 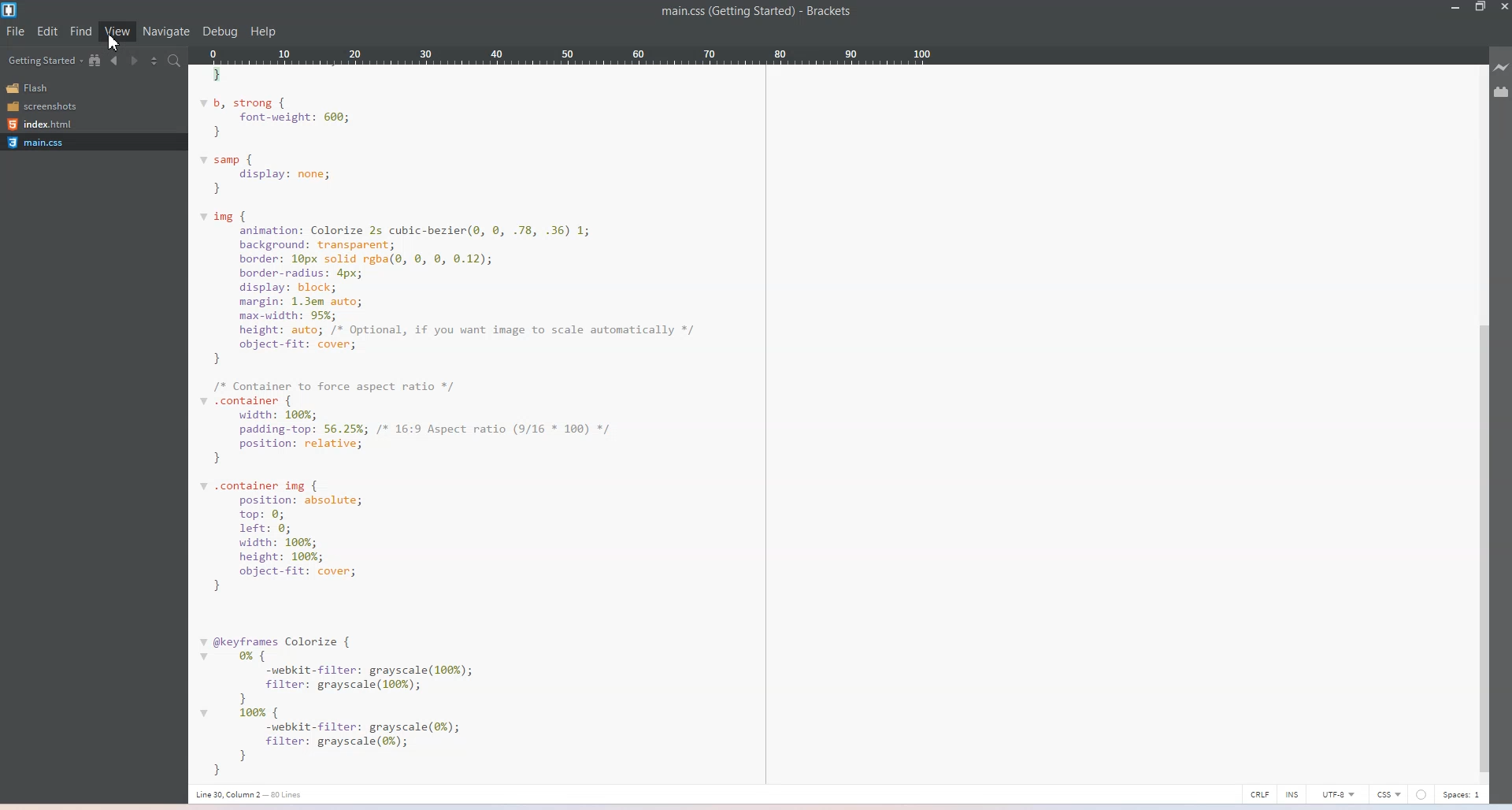 What do you see at coordinates (176, 61) in the screenshot?
I see `Find in files` at bounding box center [176, 61].